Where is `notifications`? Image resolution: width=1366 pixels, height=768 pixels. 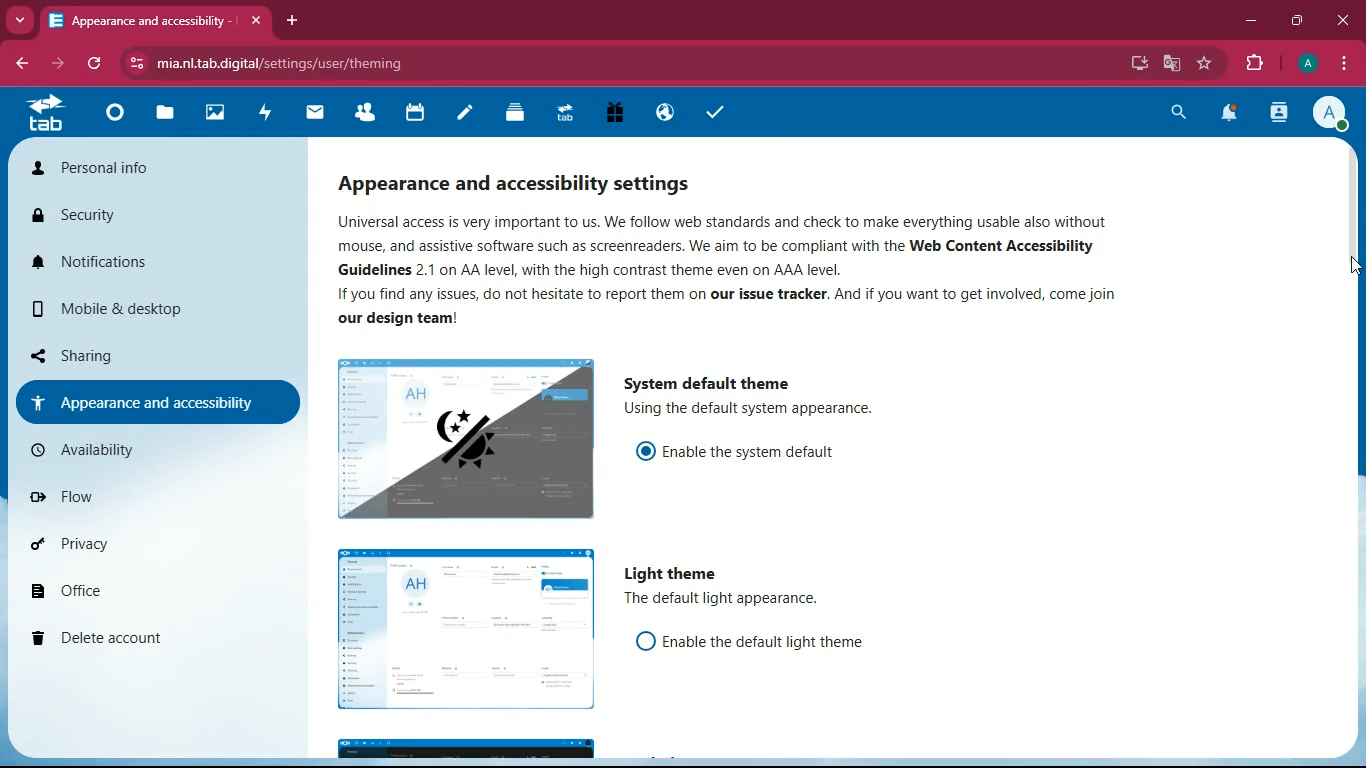 notifications is located at coordinates (145, 260).